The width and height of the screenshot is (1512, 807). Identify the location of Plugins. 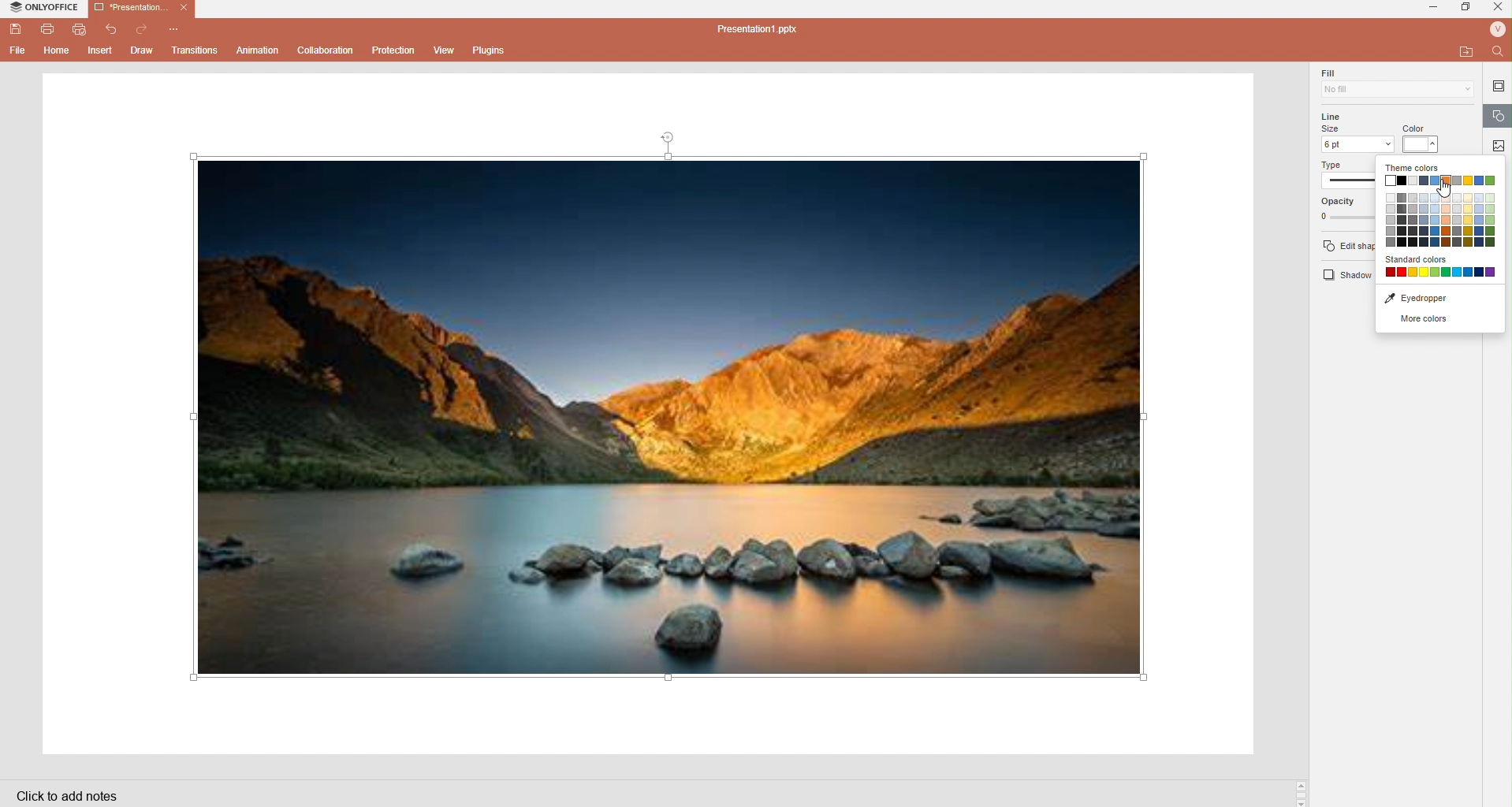
(489, 50).